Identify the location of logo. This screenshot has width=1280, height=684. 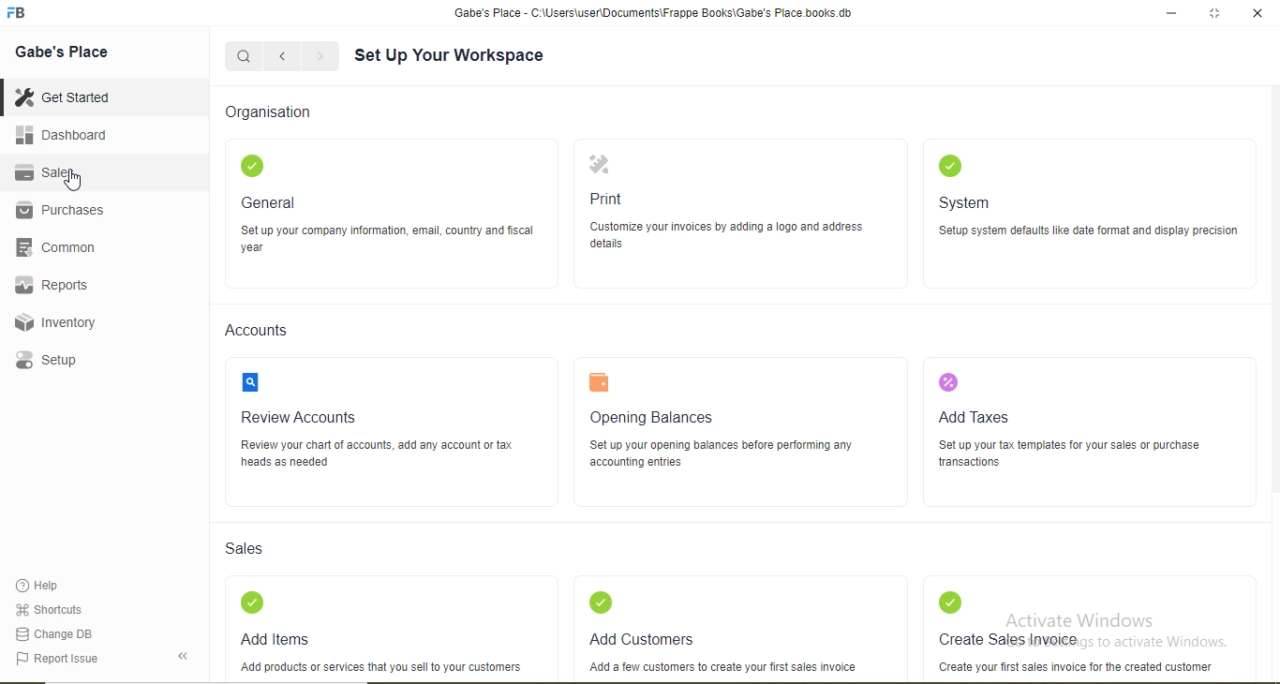
(608, 165).